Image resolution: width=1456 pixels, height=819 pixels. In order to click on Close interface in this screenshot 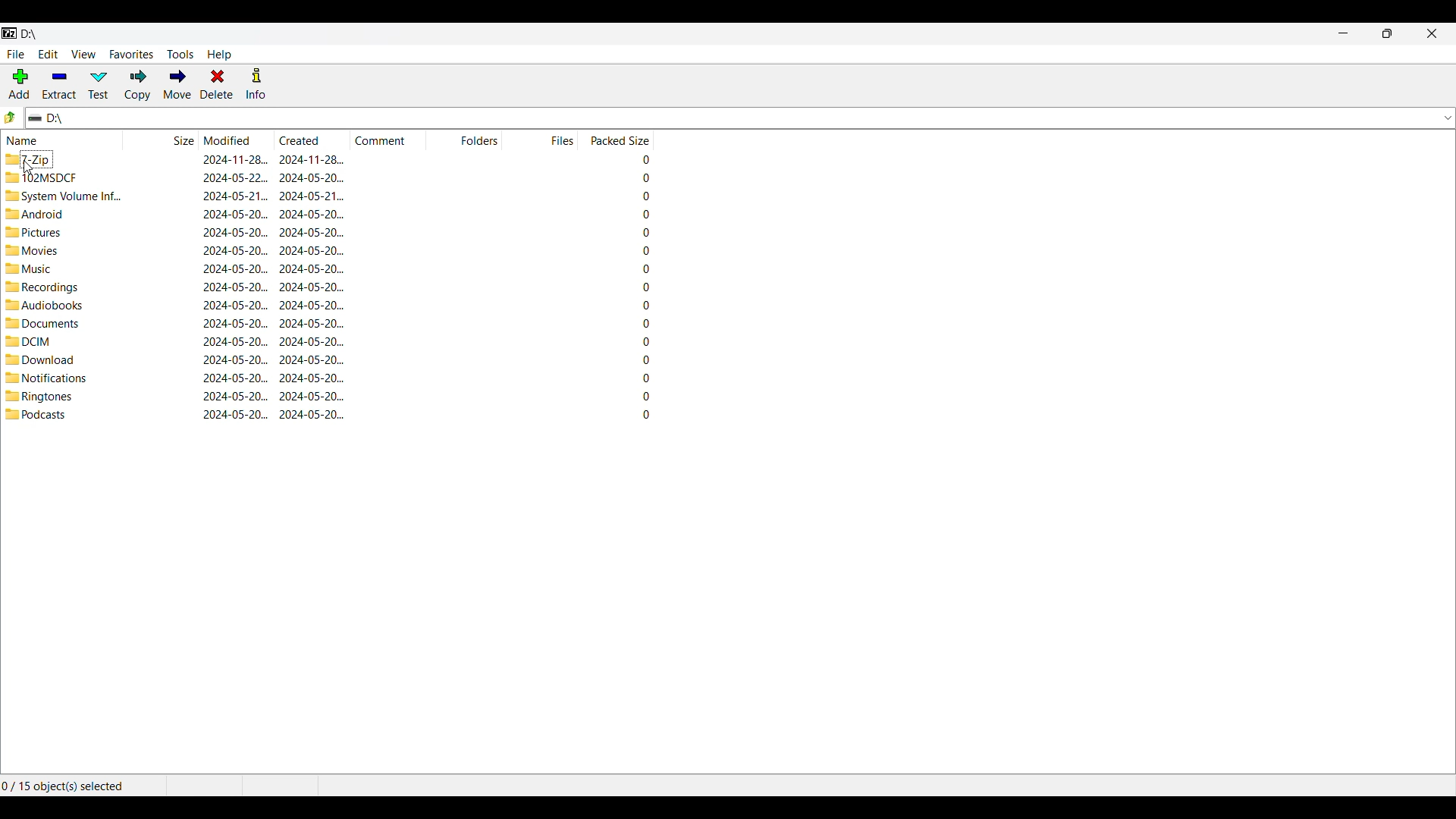, I will do `click(1432, 33)`.